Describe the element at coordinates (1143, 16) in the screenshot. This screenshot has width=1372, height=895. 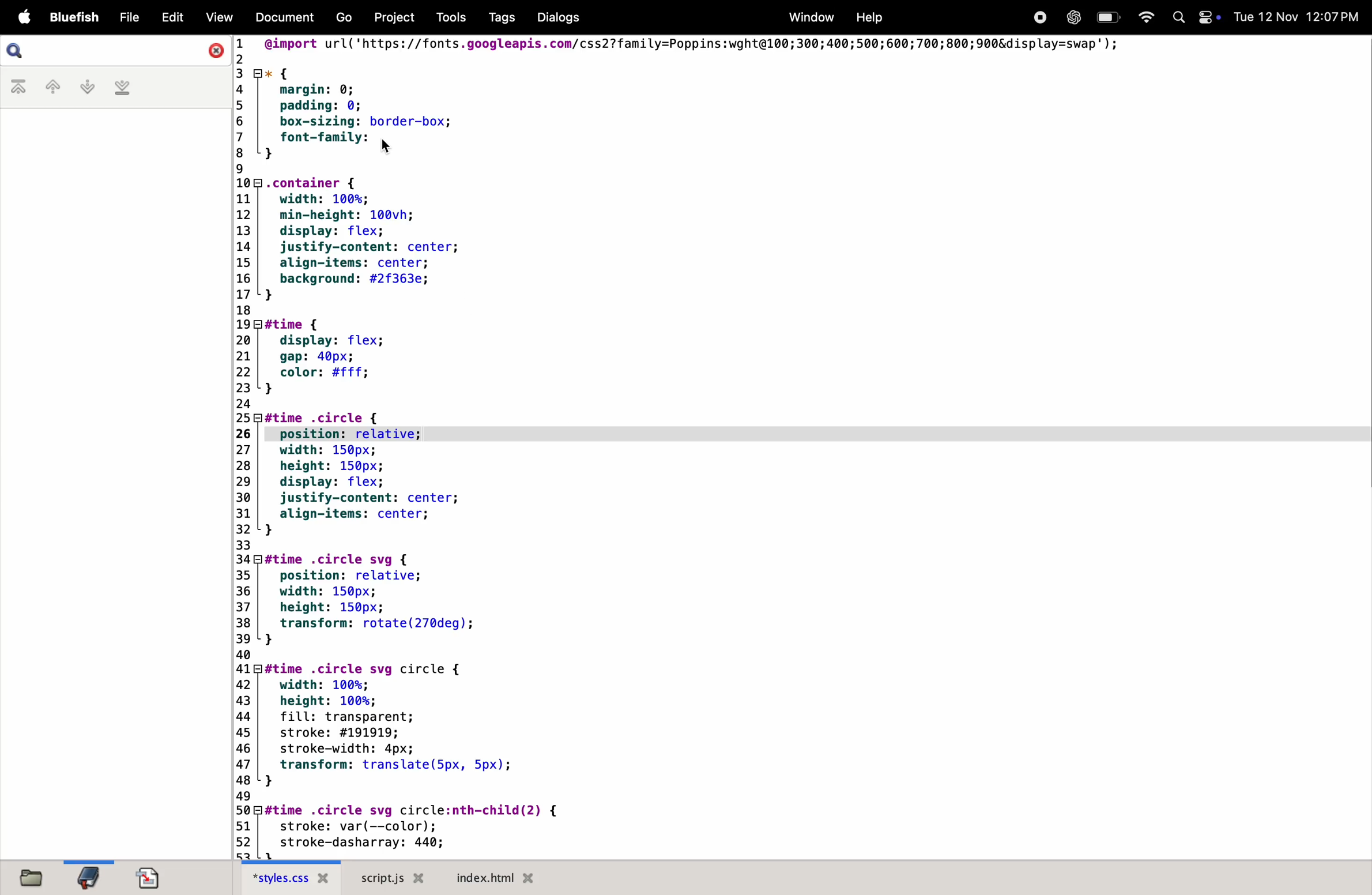
I see `wifi` at that location.